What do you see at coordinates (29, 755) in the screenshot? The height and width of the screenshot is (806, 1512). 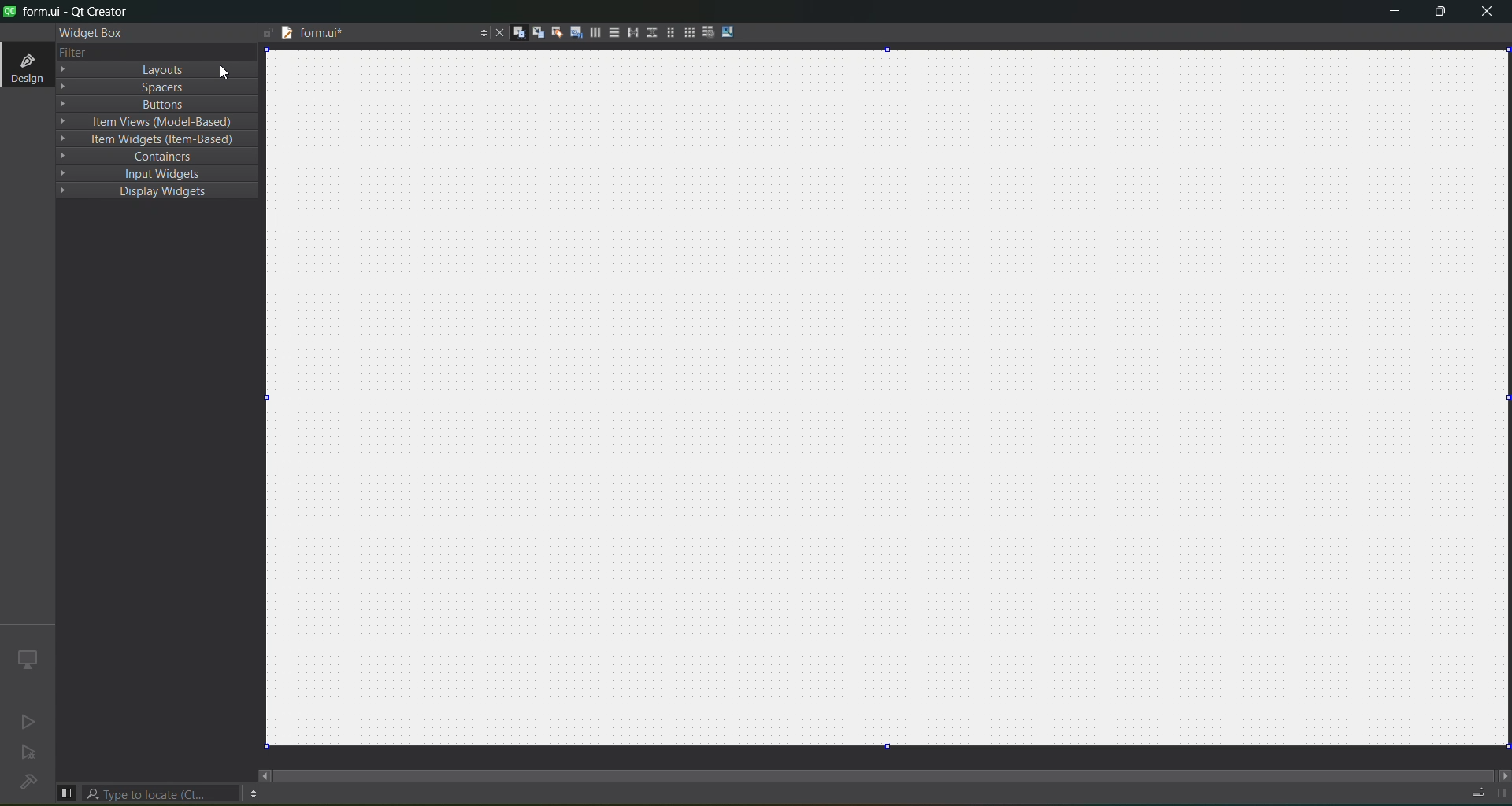 I see `no active project` at bounding box center [29, 755].